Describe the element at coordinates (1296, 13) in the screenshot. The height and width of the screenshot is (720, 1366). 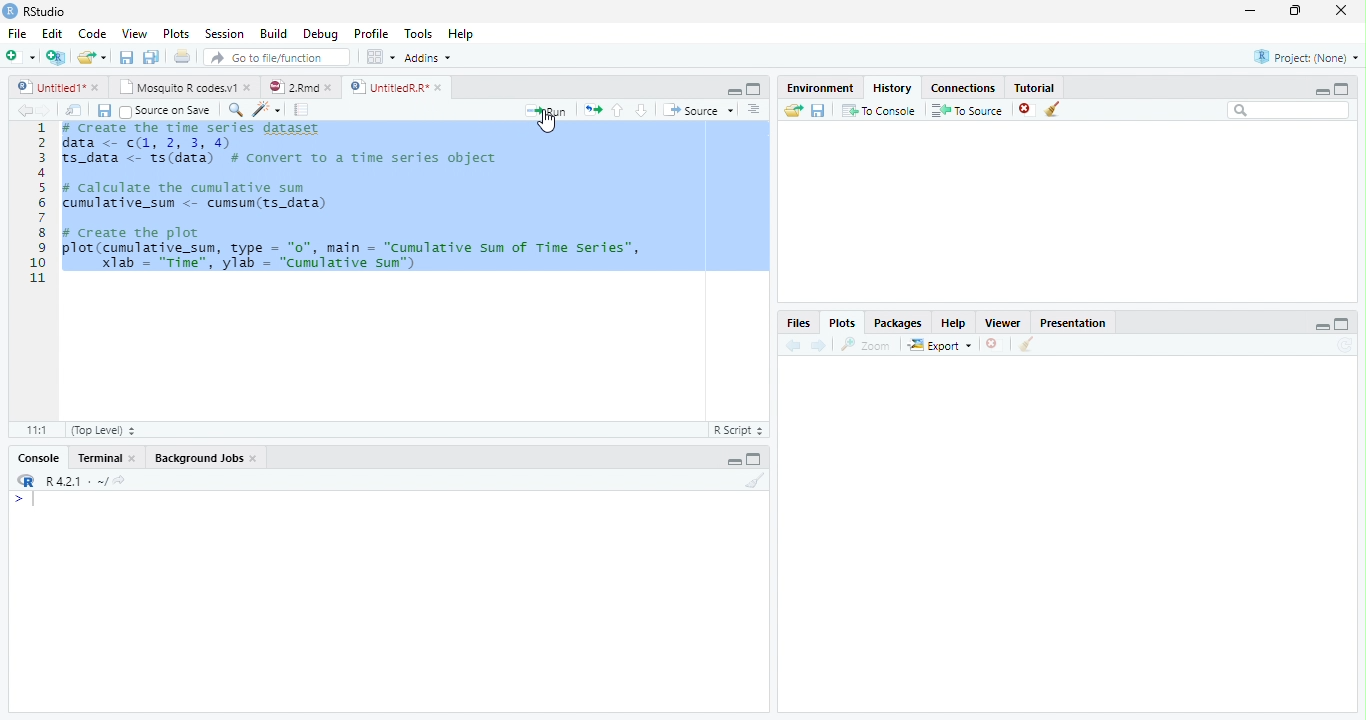
I see `Maximize` at that location.